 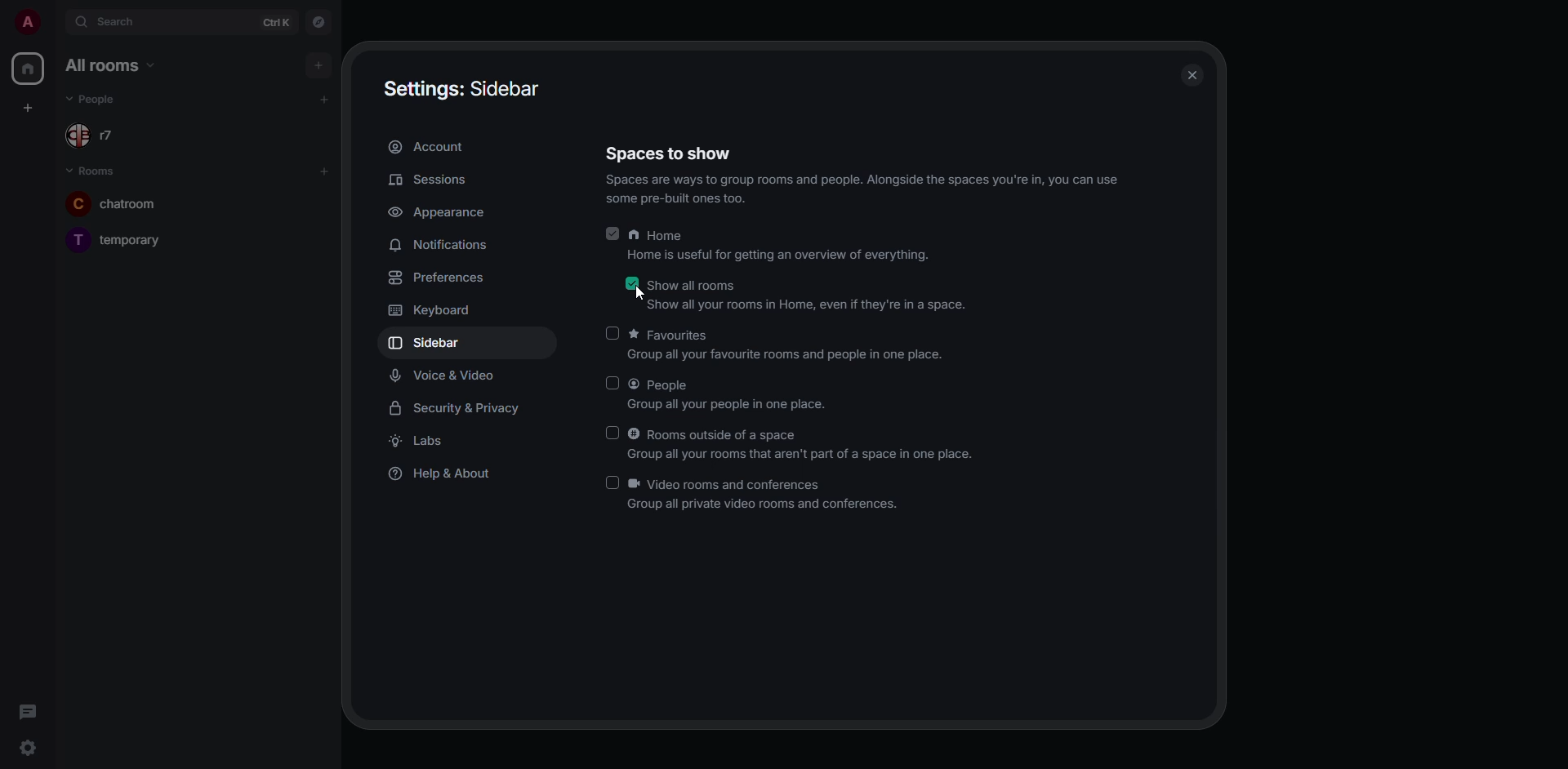 I want to click on people, so click(x=105, y=101).